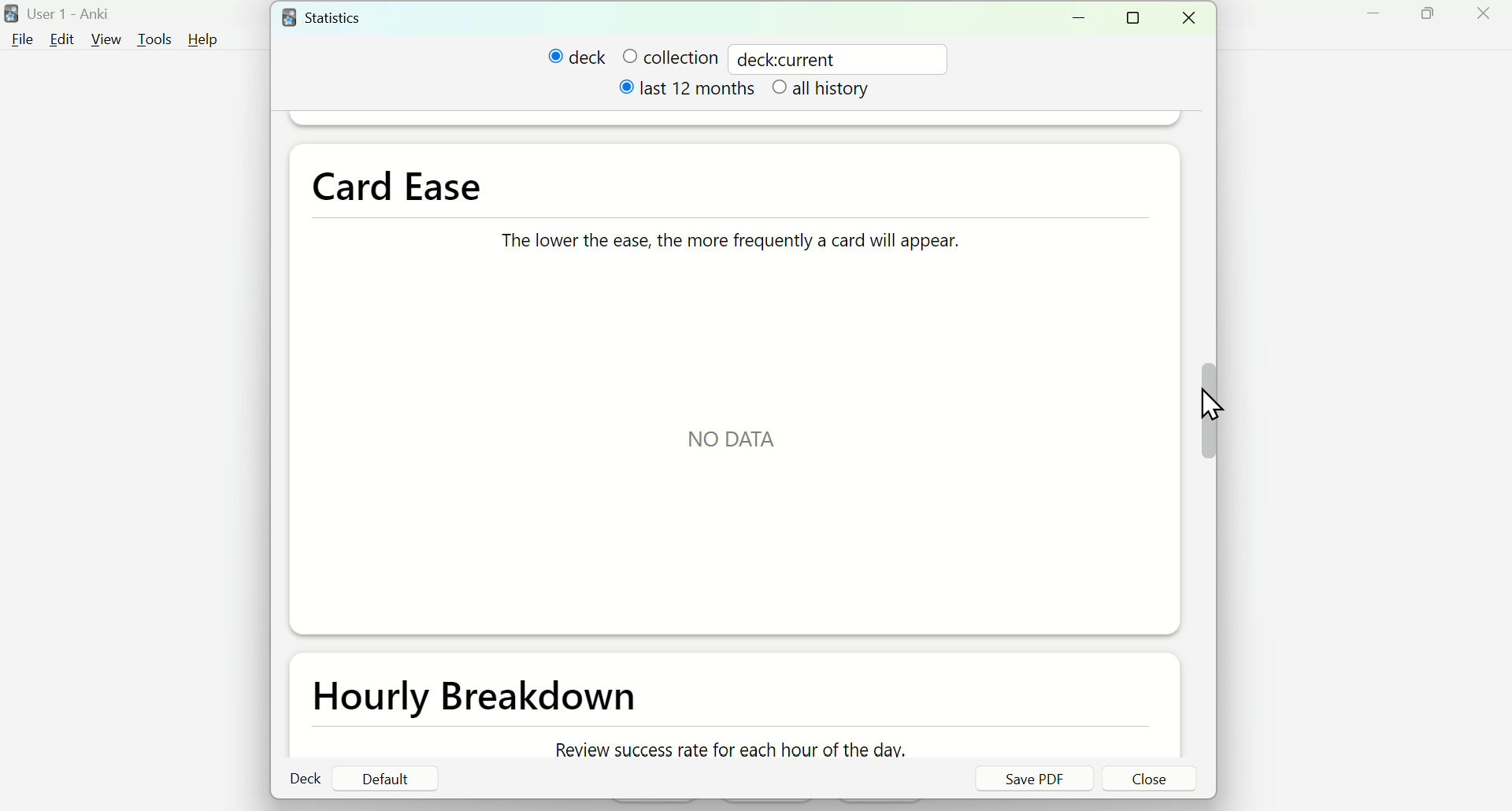  What do you see at coordinates (825, 91) in the screenshot?
I see `all history` at bounding box center [825, 91].